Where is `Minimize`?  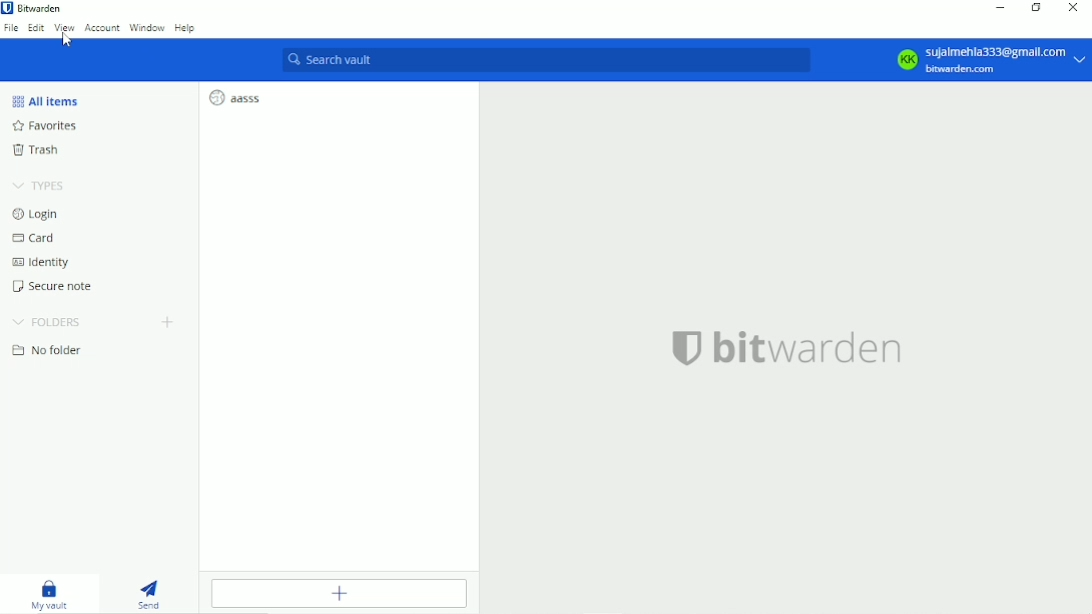
Minimize is located at coordinates (1001, 8).